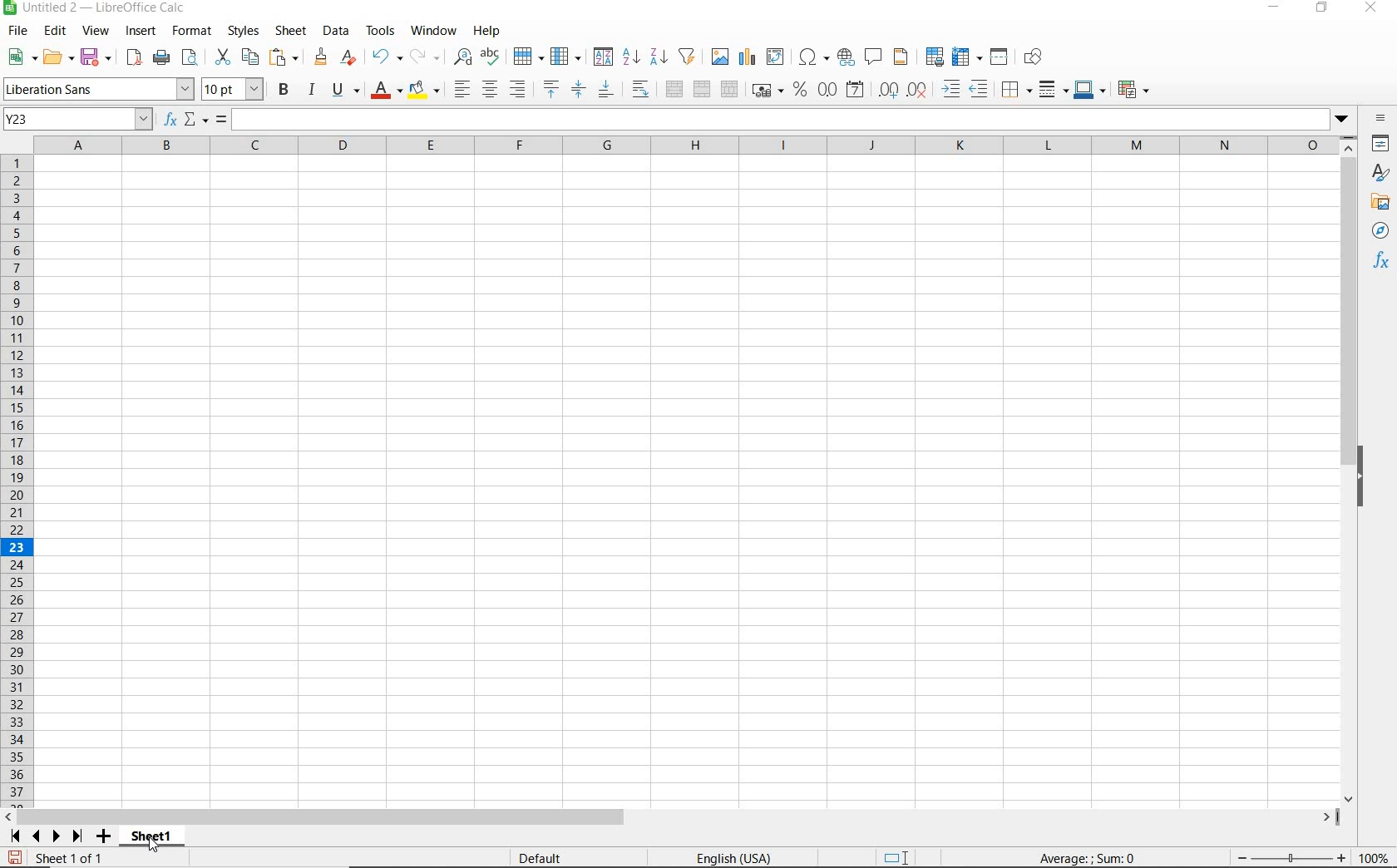  I want to click on DECREASE INDENT, so click(980, 91).